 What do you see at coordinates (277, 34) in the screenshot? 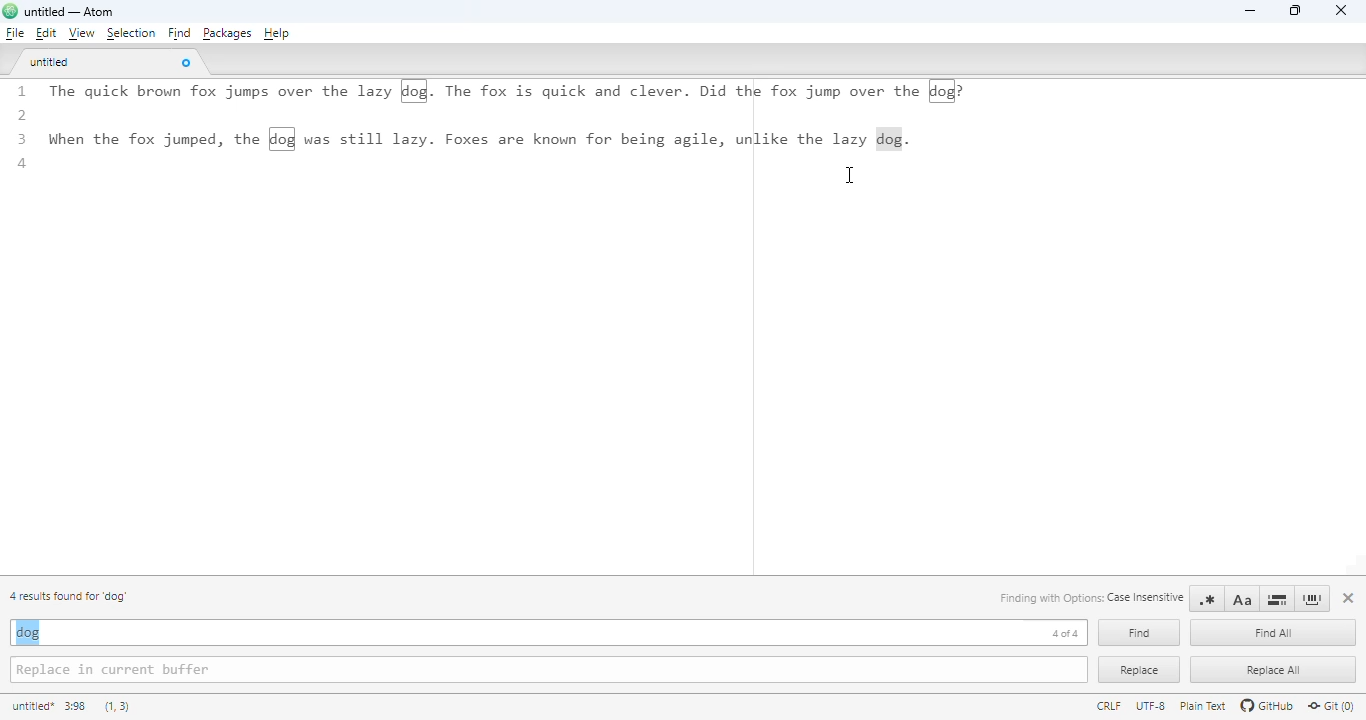
I see `help` at bounding box center [277, 34].